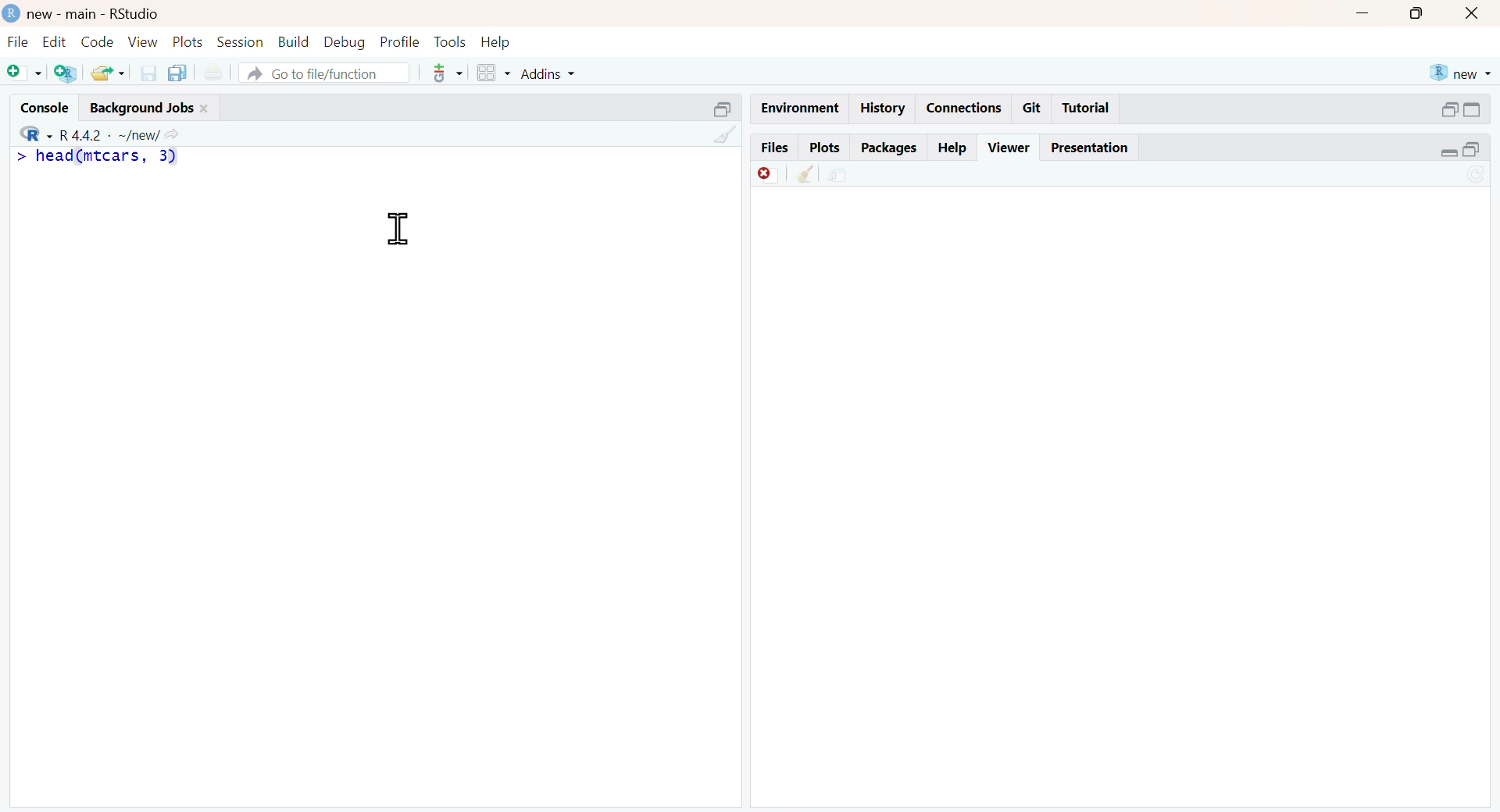  What do you see at coordinates (323, 73) in the screenshot?
I see `A Go to file/function` at bounding box center [323, 73].